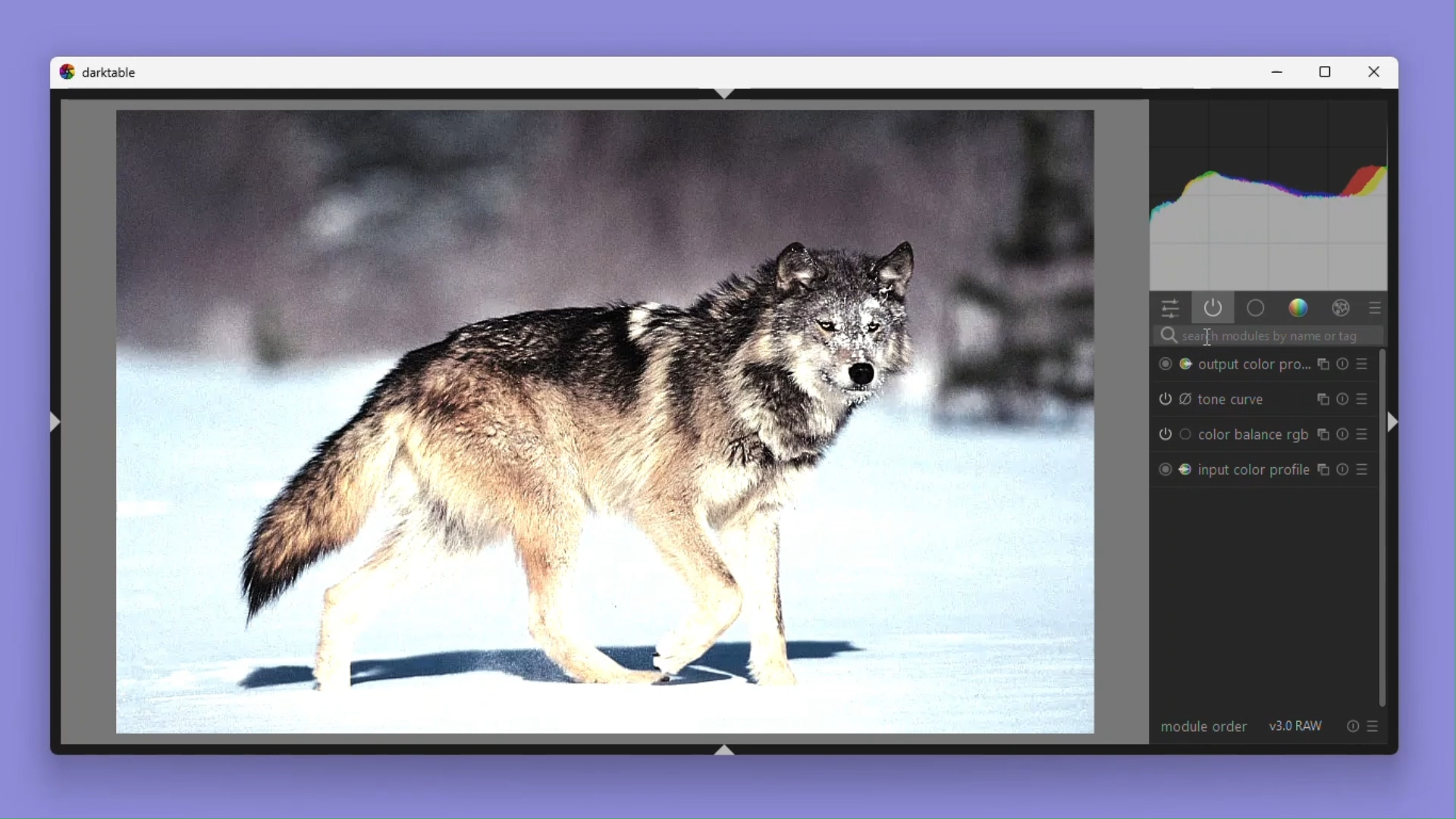  I want to click on reset option, so click(1348, 726).